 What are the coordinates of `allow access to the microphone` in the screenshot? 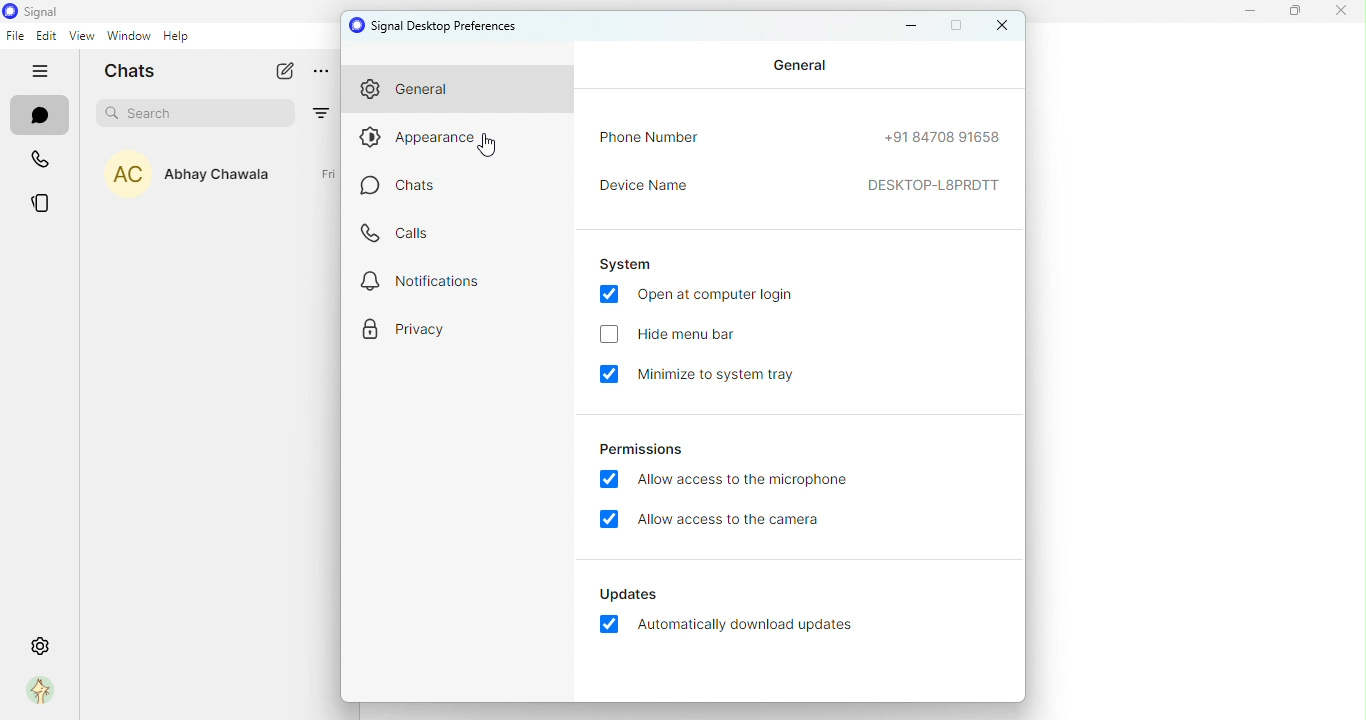 It's located at (711, 484).